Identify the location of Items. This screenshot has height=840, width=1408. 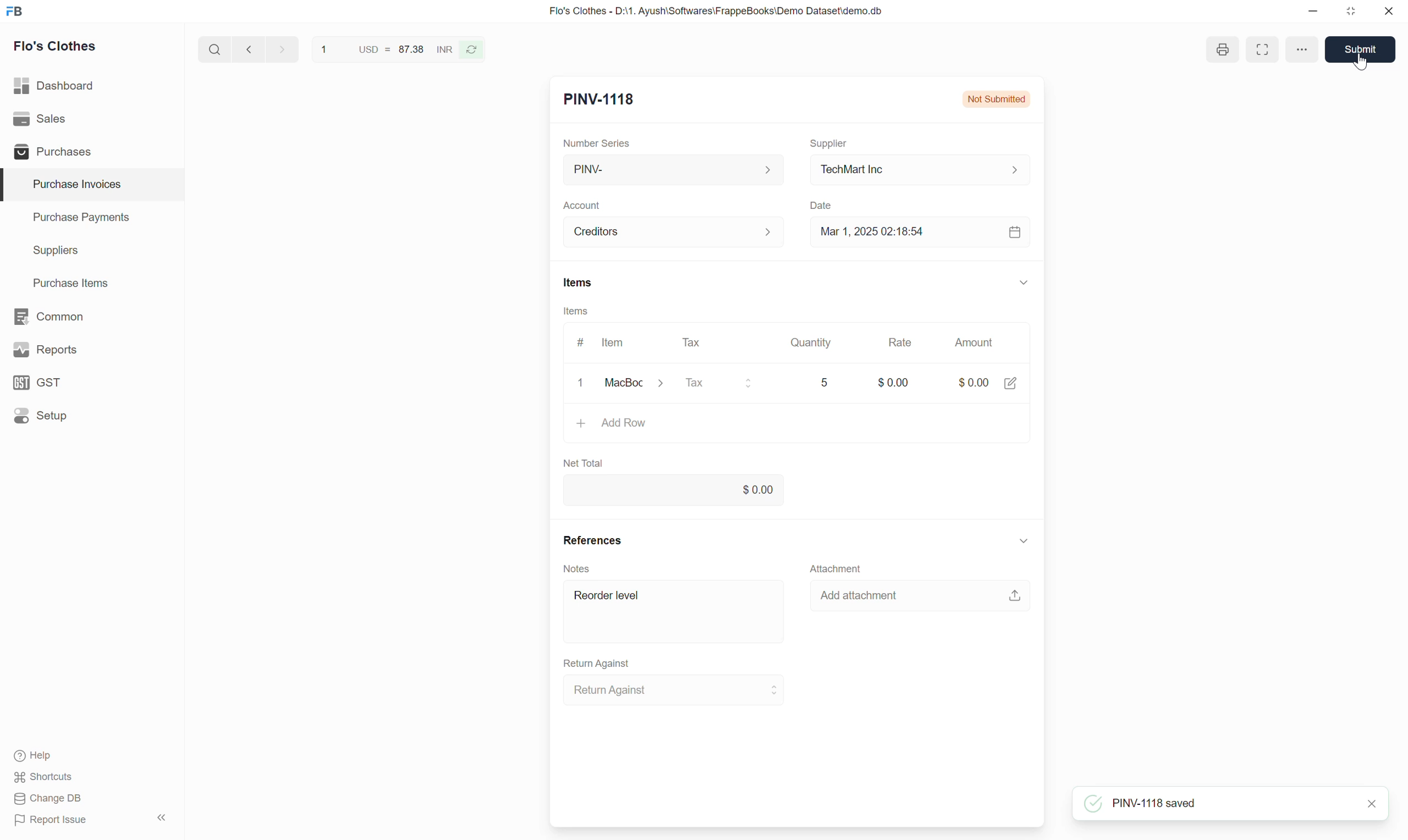
(579, 282).